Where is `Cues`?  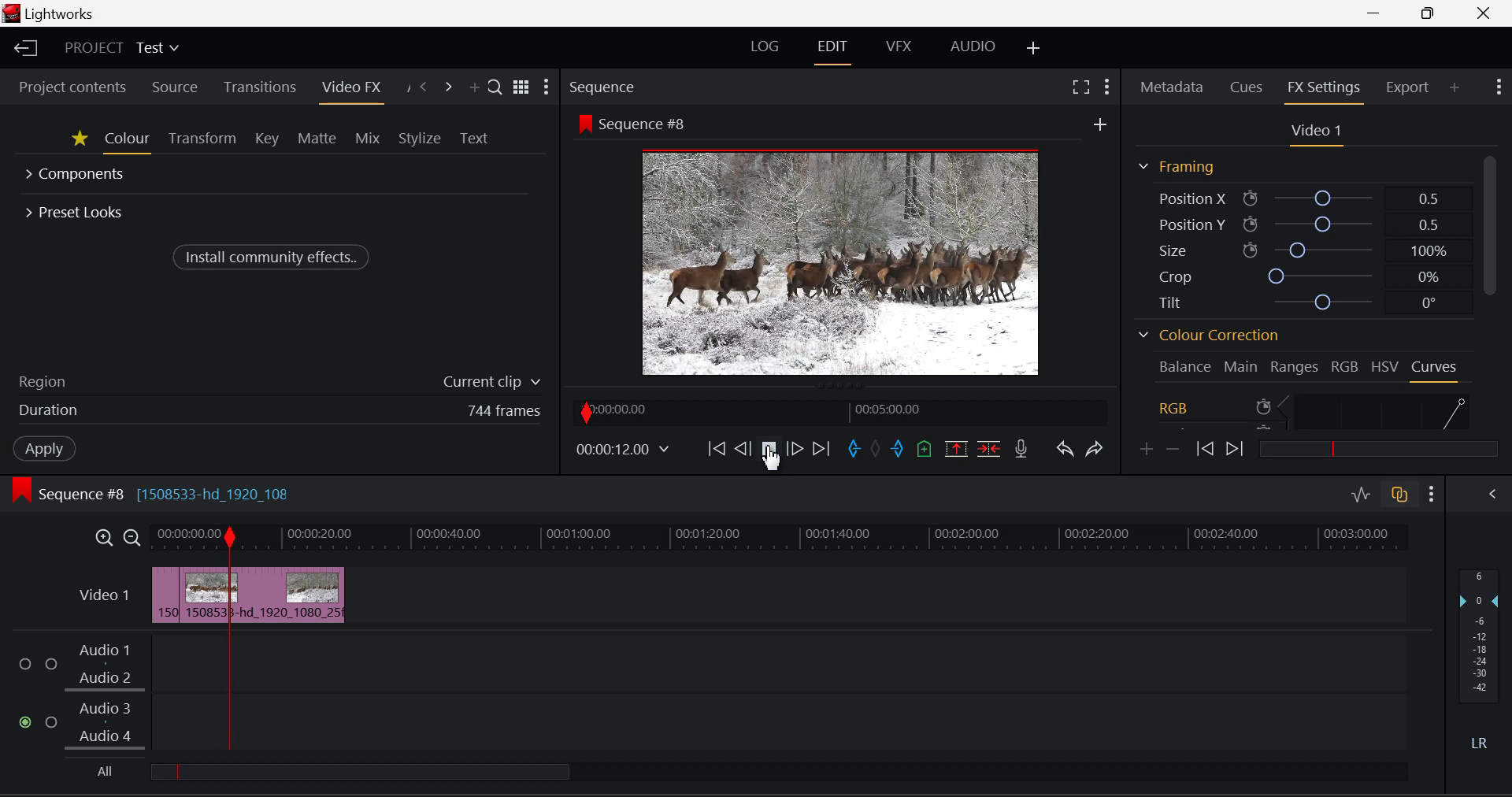
Cues is located at coordinates (1247, 87).